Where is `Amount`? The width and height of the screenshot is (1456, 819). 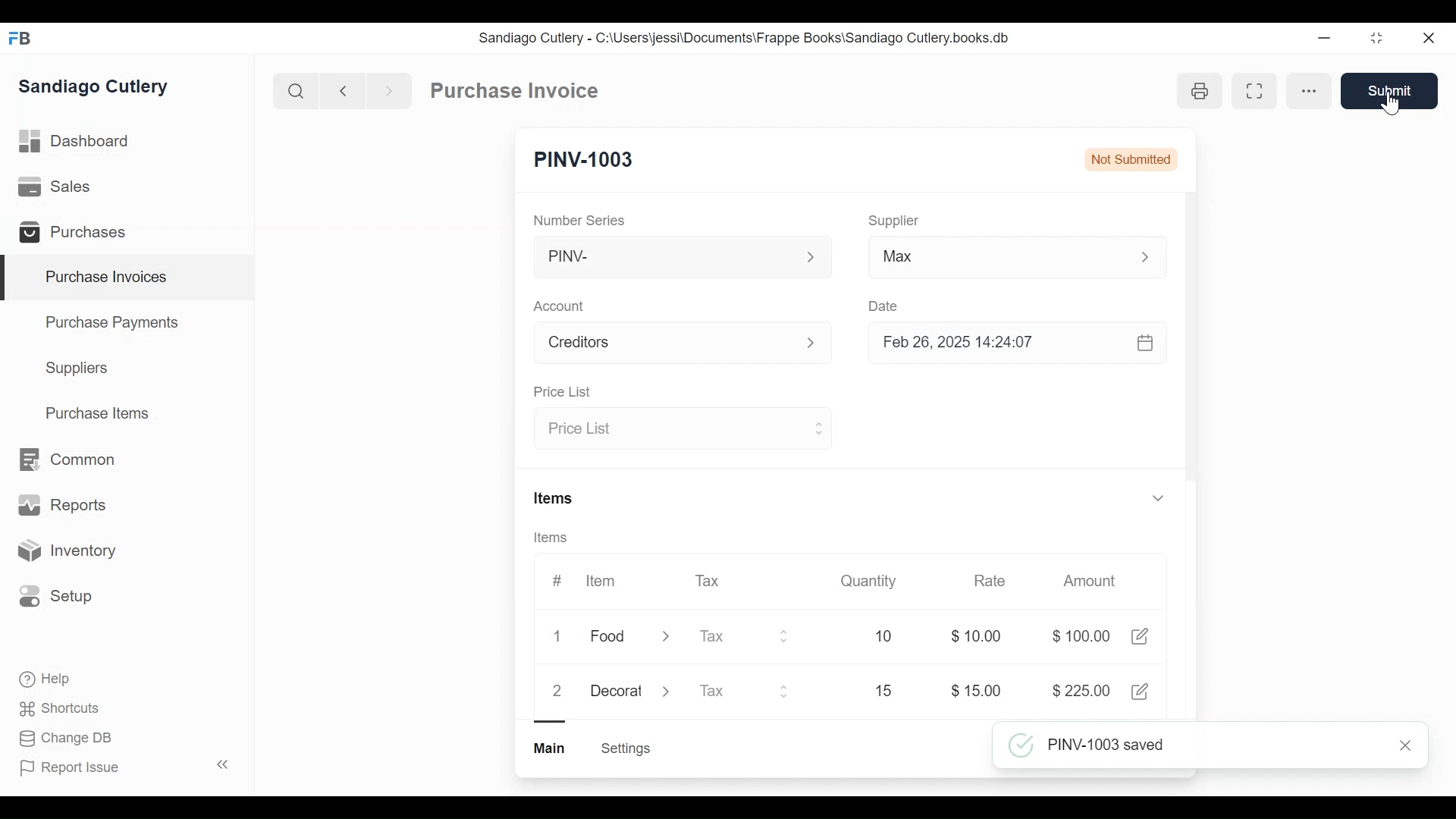 Amount is located at coordinates (1093, 582).